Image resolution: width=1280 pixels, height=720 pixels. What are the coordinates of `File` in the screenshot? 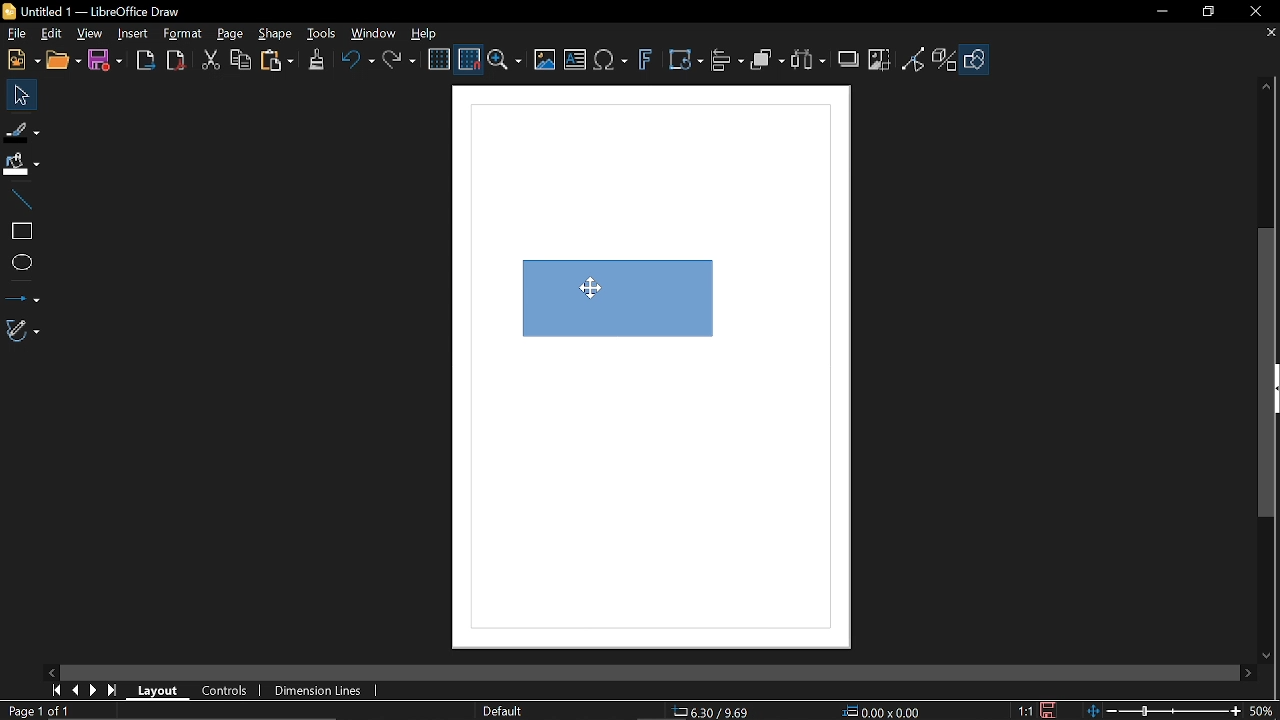 It's located at (16, 34).